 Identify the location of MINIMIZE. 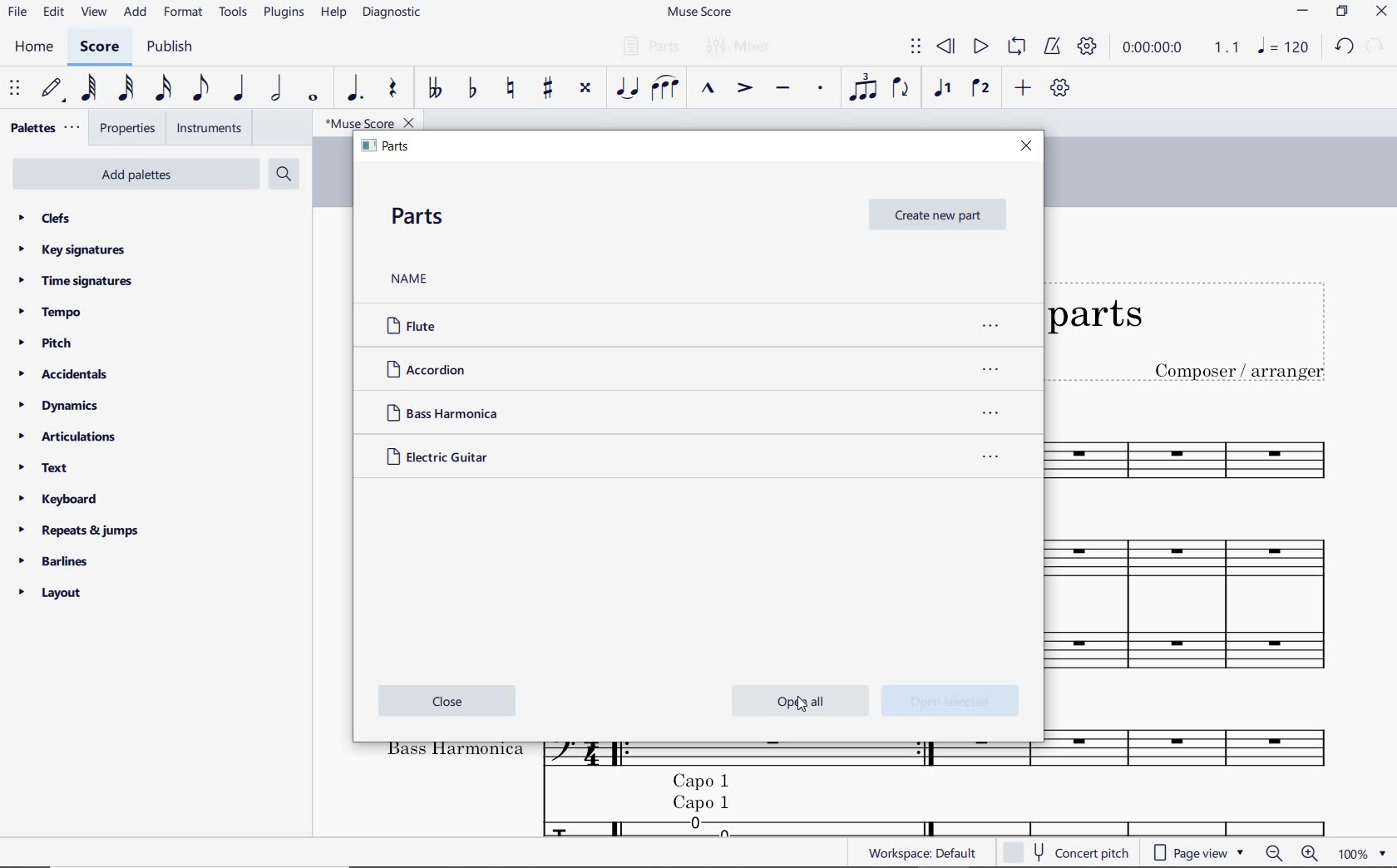
(1304, 12).